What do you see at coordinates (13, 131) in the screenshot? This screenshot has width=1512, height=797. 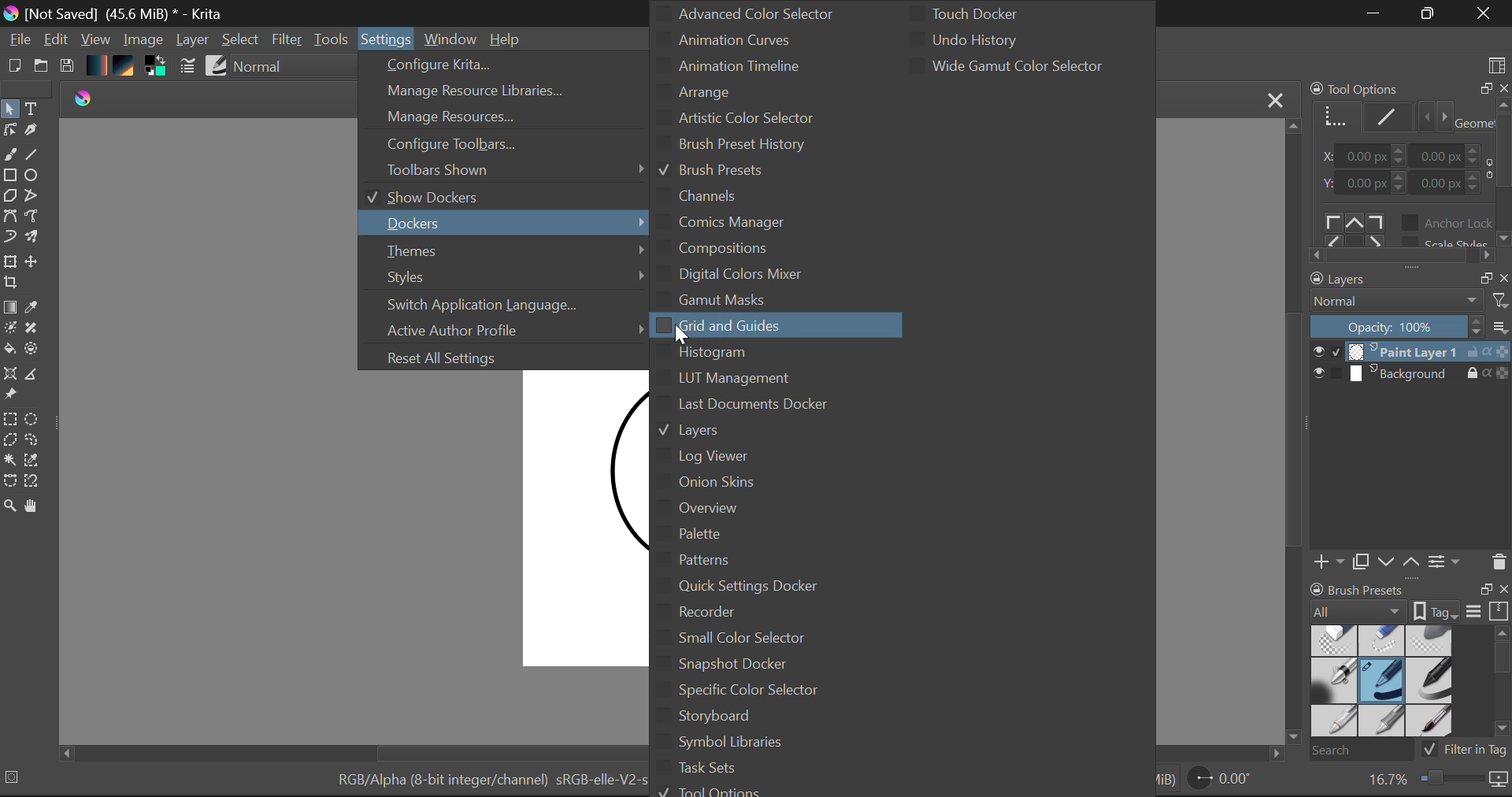 I see `Edit Shapes` at bounding box center [13, 131].